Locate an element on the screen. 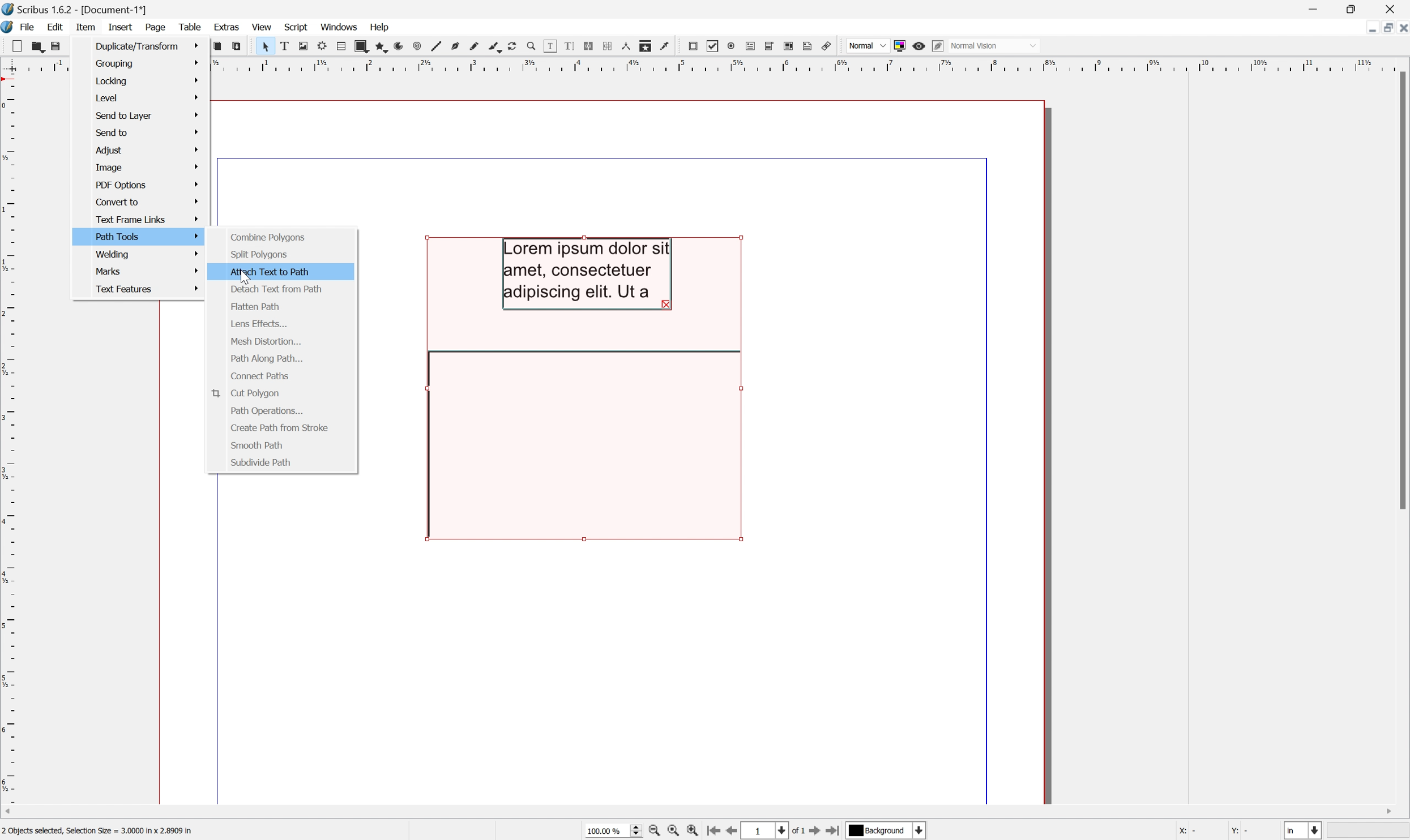 The image size is (1410, 840). Help is located at coordinates (380, 27).